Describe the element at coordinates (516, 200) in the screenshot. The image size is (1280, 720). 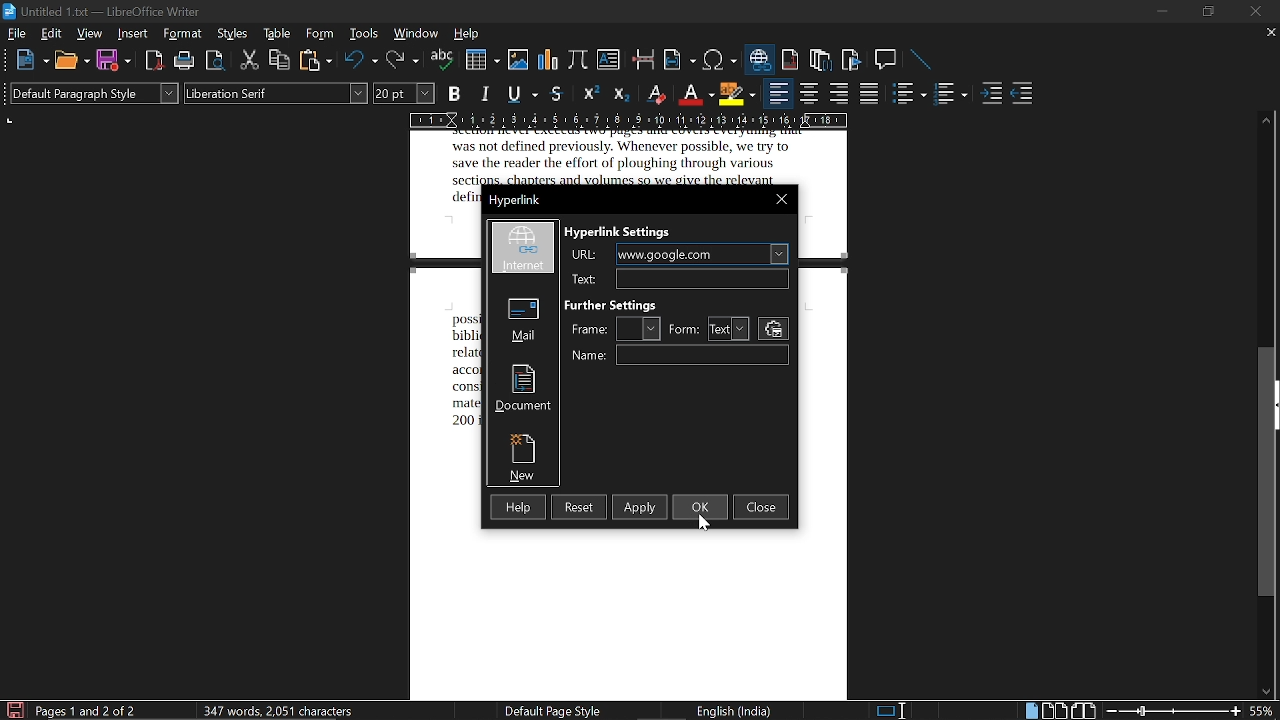
I see `current window` at that location.